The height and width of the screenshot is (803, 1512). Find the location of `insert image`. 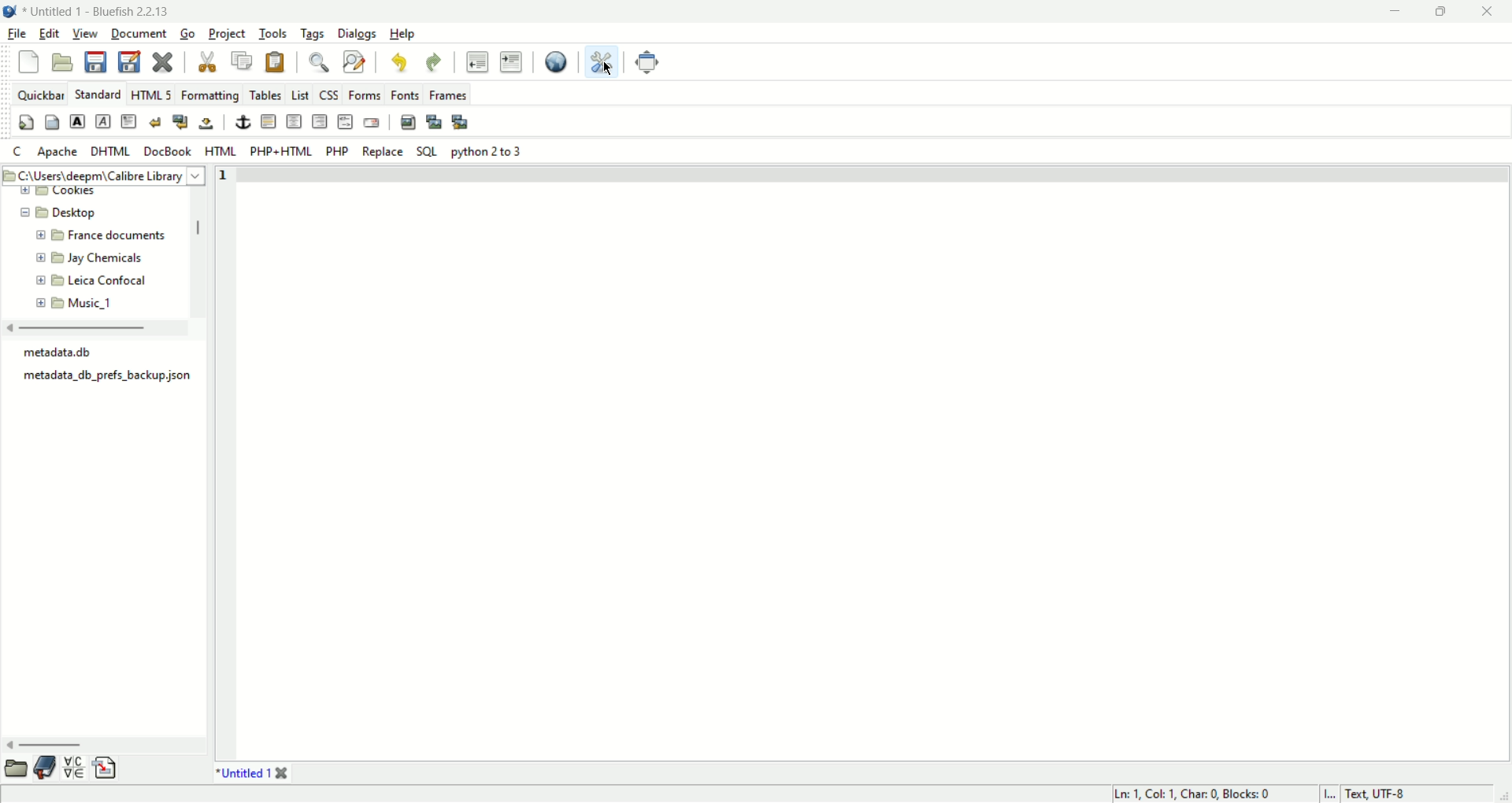

insert image is located at coordinates (409, 123).